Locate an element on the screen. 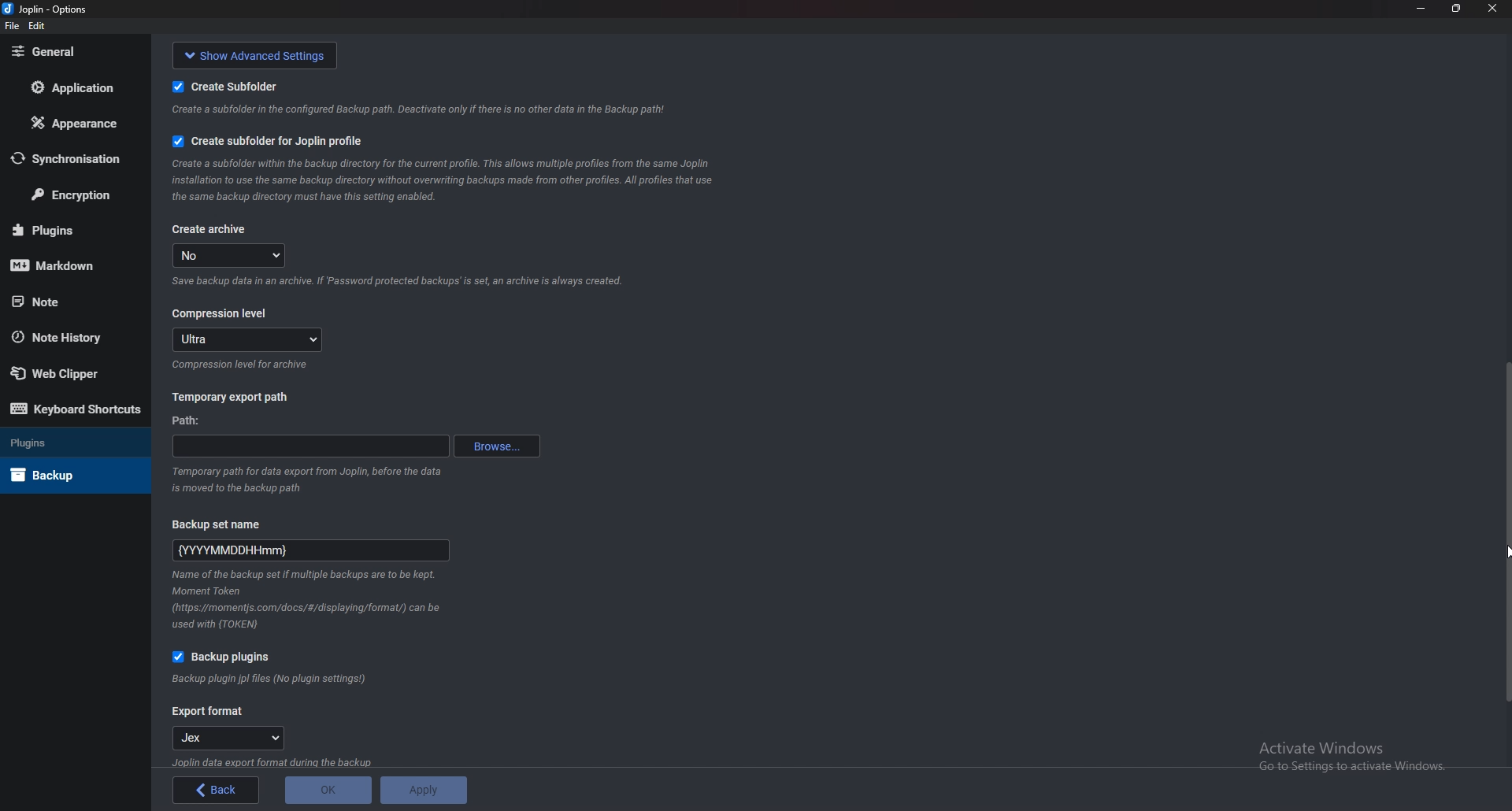 The height and width of the screenshot is (811, 1512). Ultra is located at coordinates (252, 340).